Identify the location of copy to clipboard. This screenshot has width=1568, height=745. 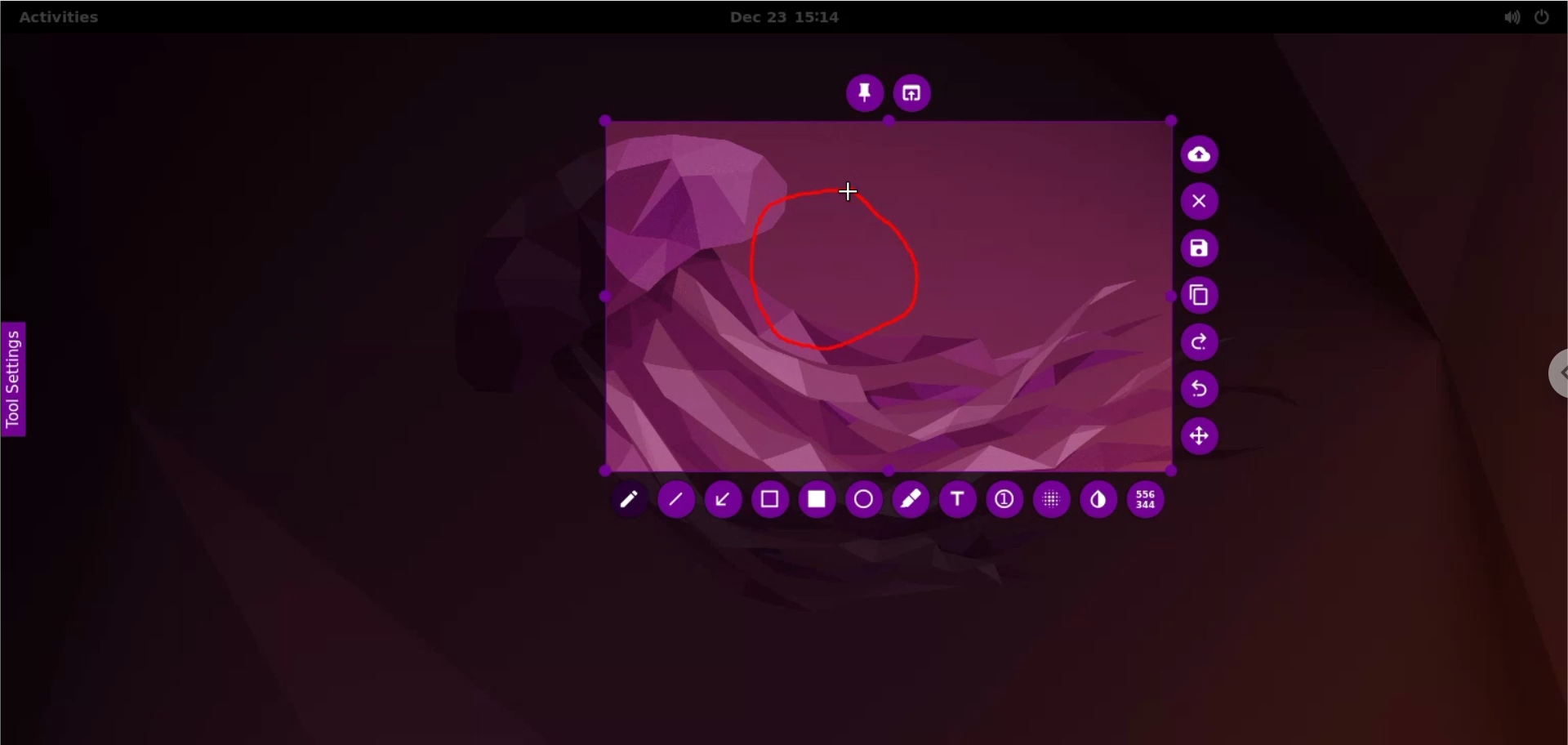
(1207, 297).